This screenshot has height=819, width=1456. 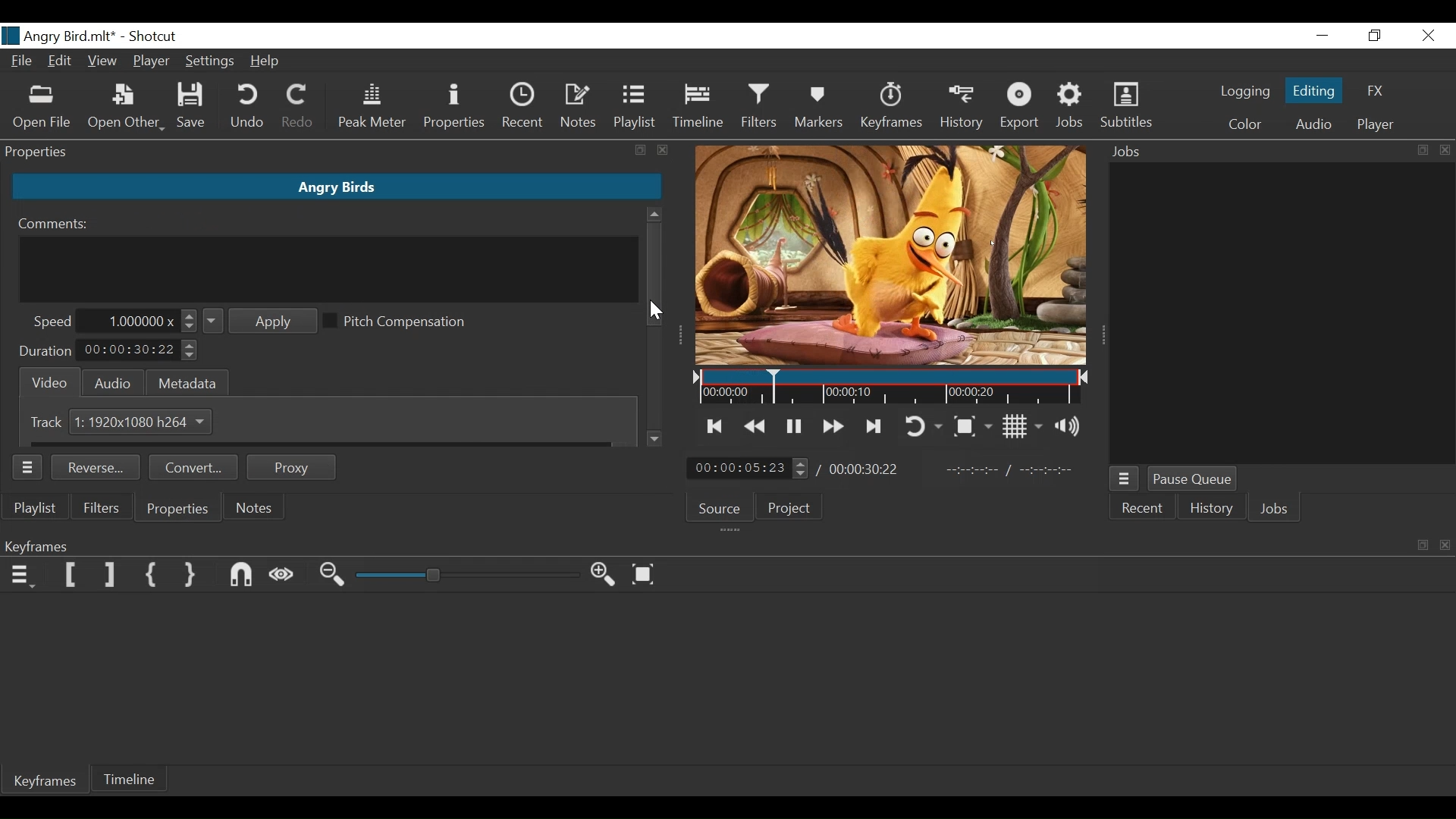 What do you see at coordinates (467, 576) in the screenshot?
I see `Zoom slider` at bounding box center [467, 576].